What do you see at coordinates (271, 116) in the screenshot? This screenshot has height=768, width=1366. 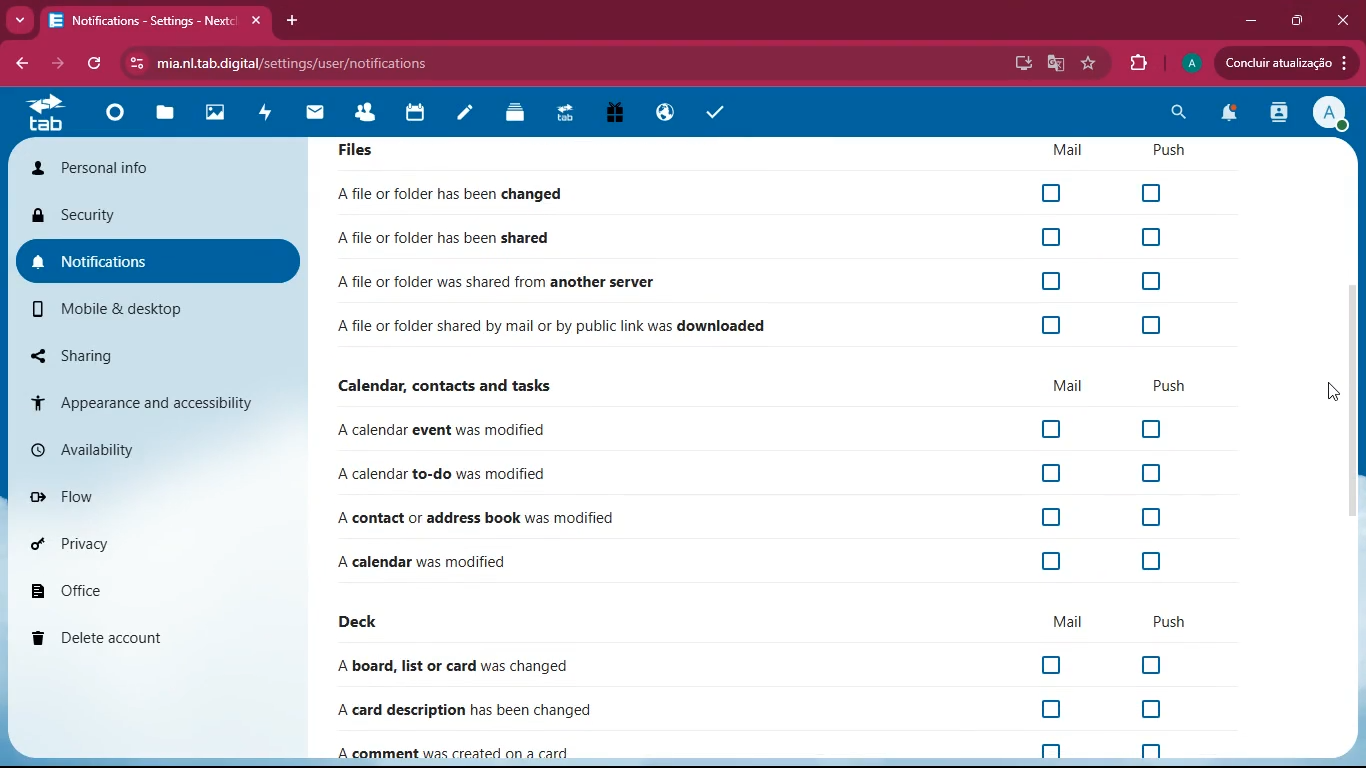 I see `activity` at bounding box center [271, 116].